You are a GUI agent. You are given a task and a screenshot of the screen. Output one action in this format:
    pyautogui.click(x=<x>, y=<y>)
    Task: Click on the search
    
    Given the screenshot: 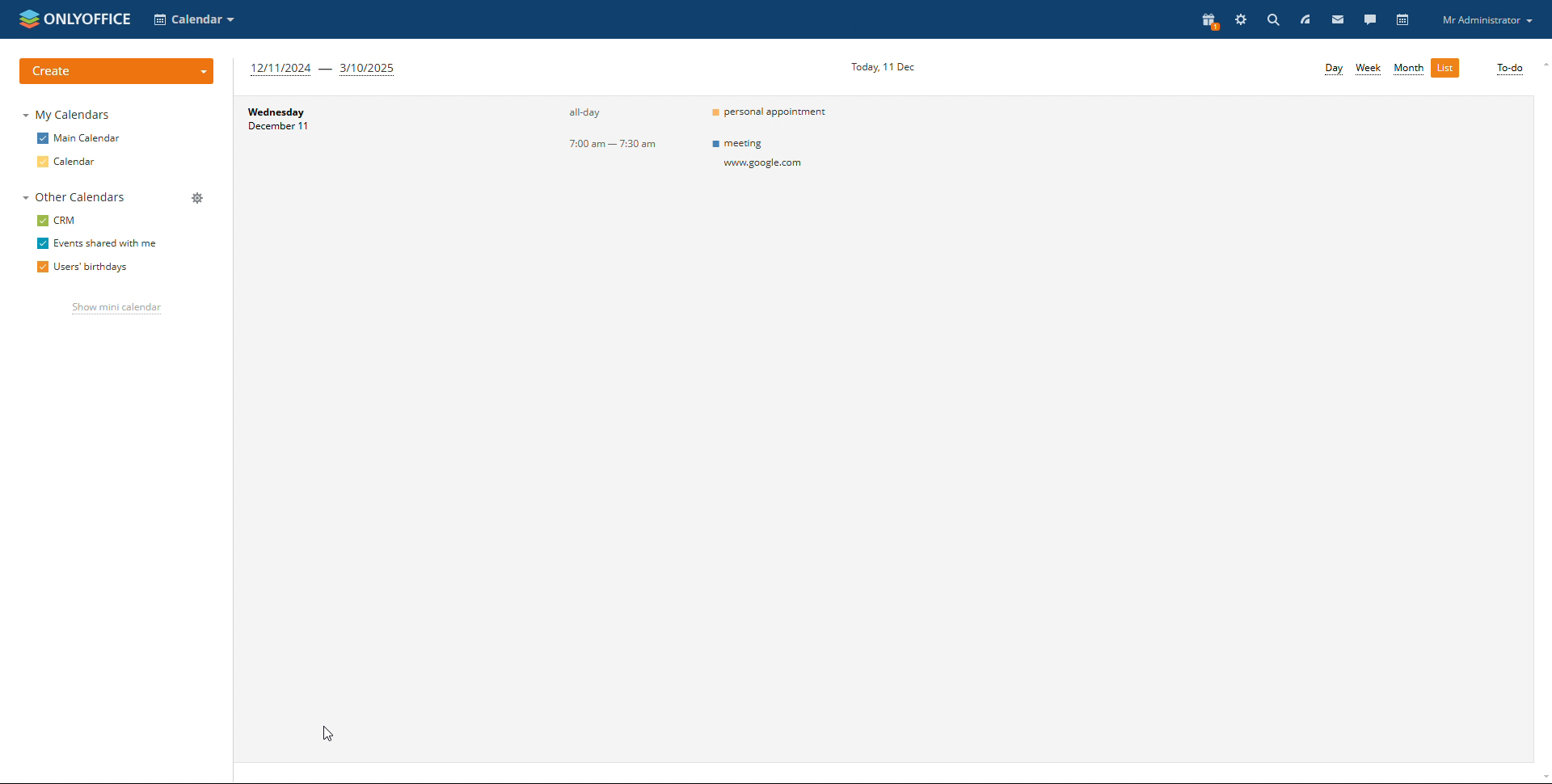 What is the action you would take?
    pyautogui.click(x=1271, y=20)
    